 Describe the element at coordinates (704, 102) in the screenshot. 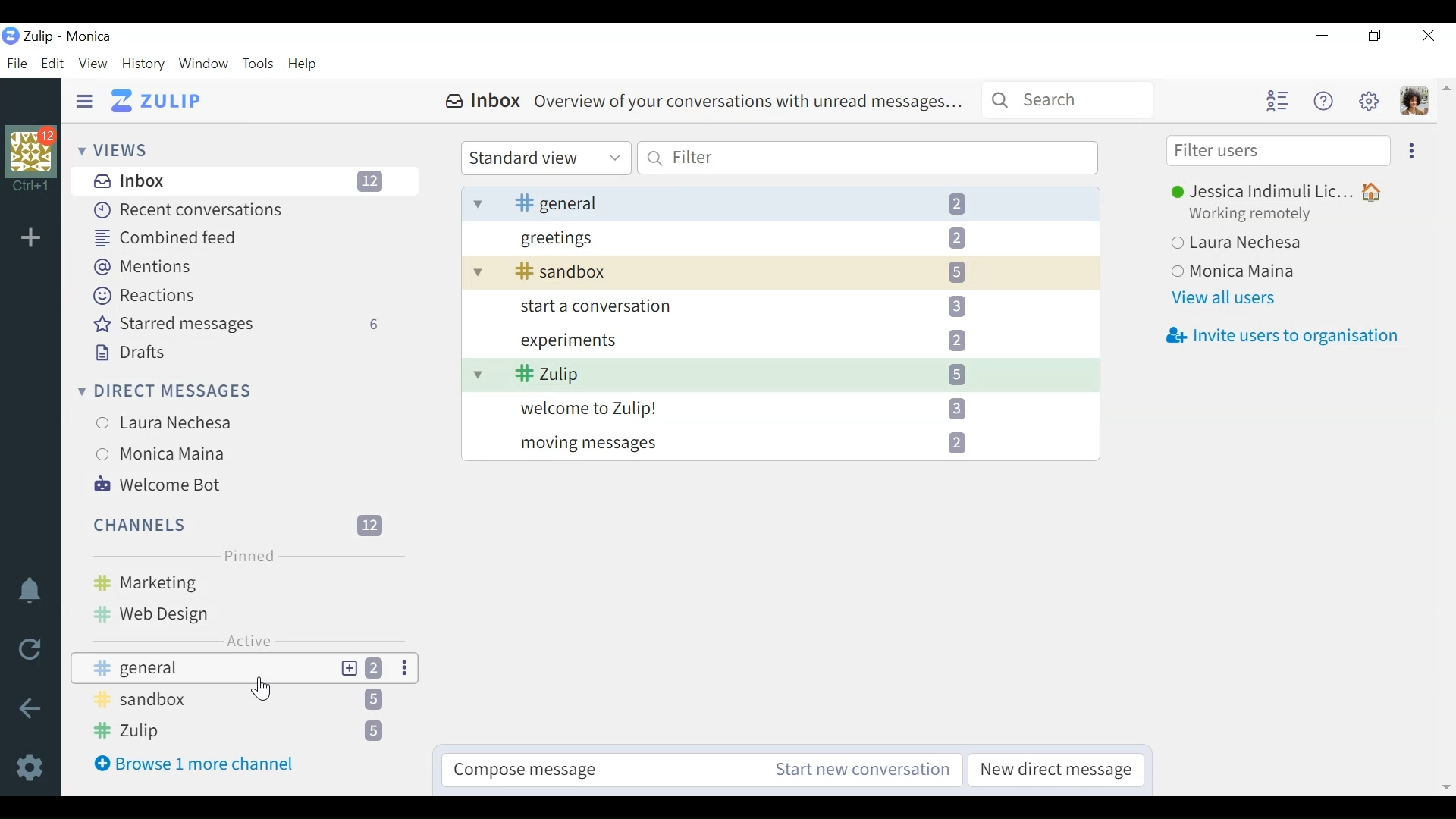

I see `Inbox Overview of your conversations with unread messages...` at that location.